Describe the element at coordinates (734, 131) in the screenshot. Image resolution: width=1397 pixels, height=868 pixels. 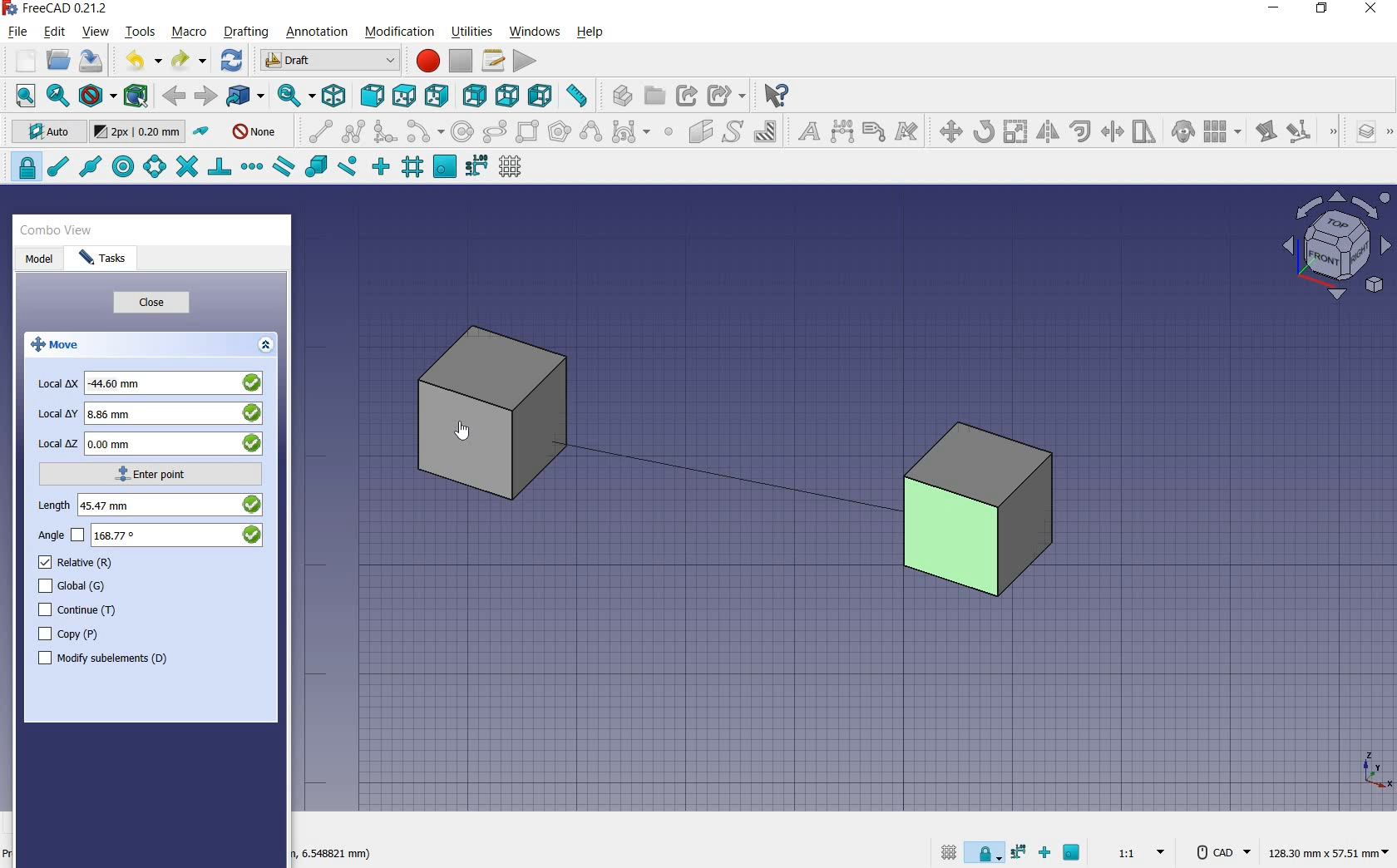
I see `shape from text` at that location.